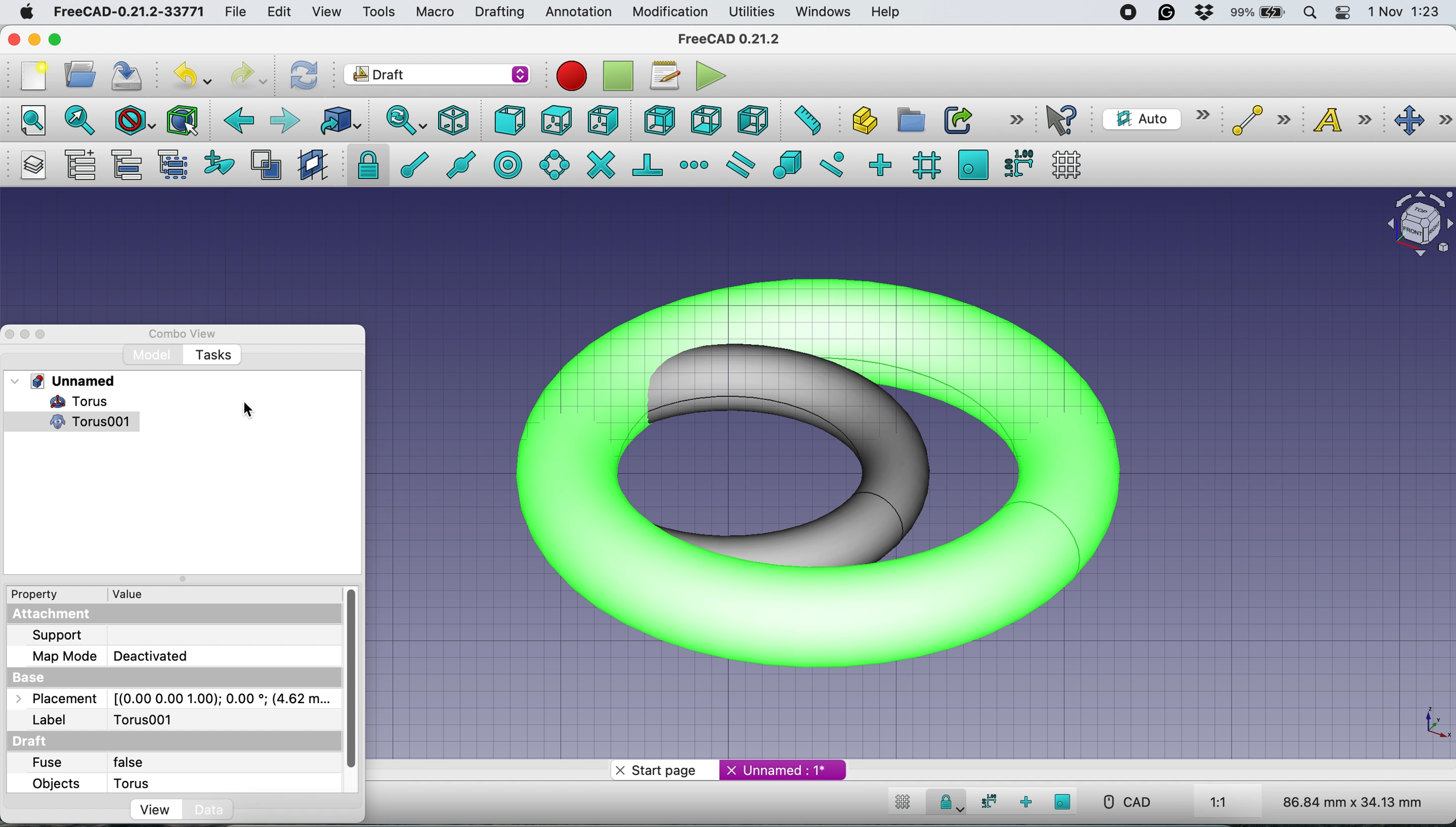  What do you see at coordinates (140, 809) in the screenshot?
I see `View` at bounding box center [140, 809].